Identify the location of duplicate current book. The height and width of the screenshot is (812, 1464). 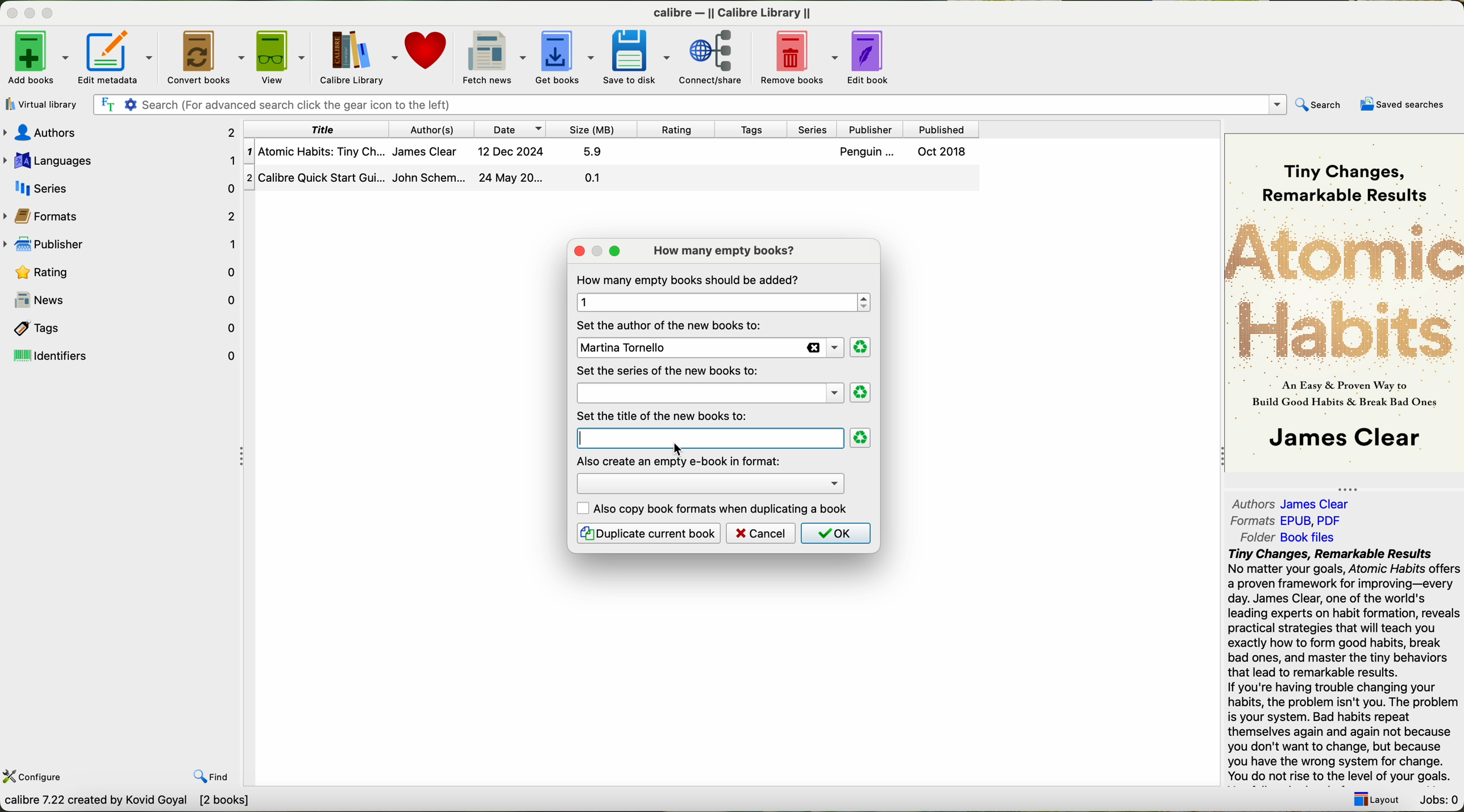
(648, 533).